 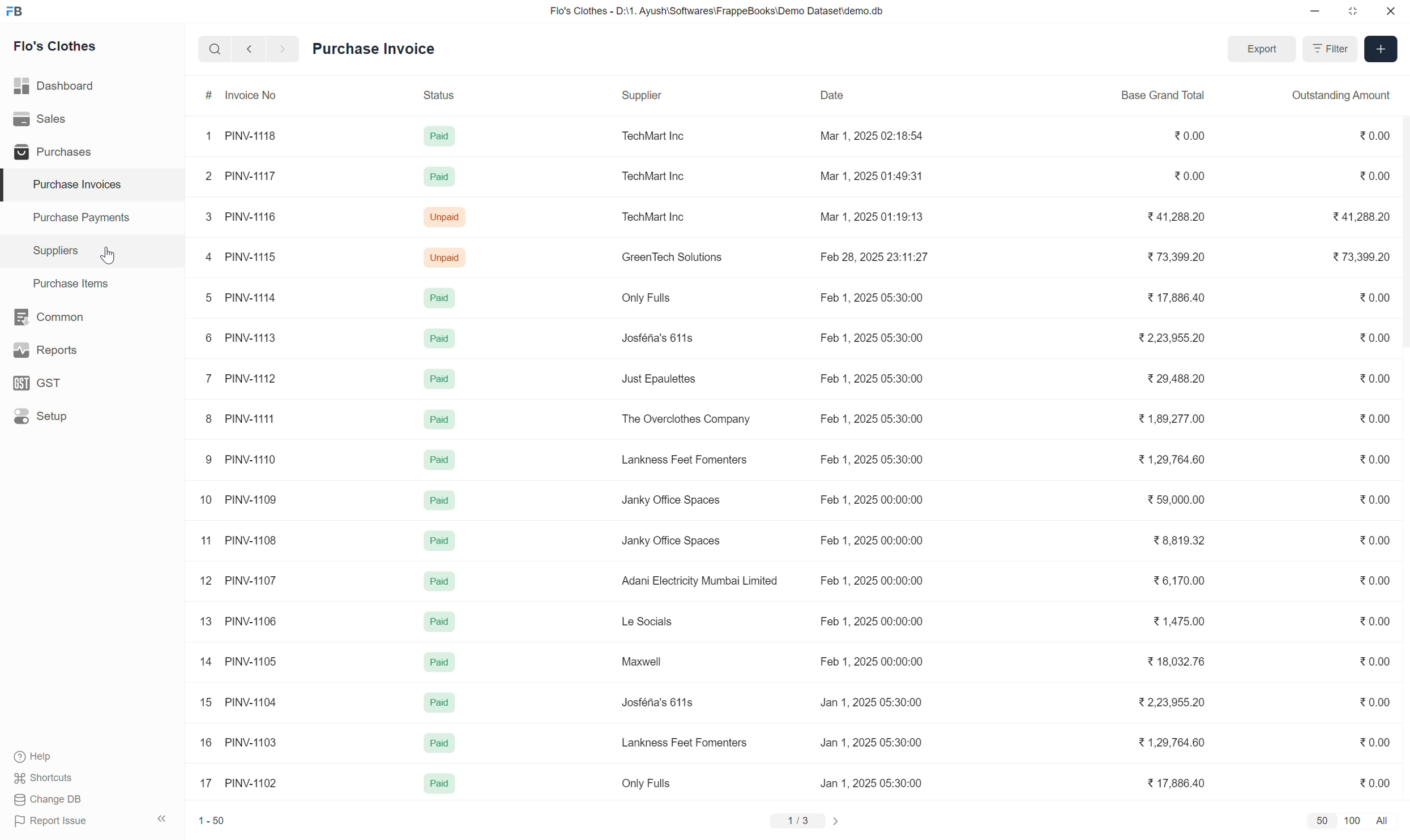 What do you see at coordinates (438, 295) in the screenshot?
I see `Paid` at bounding box center [438, 295].